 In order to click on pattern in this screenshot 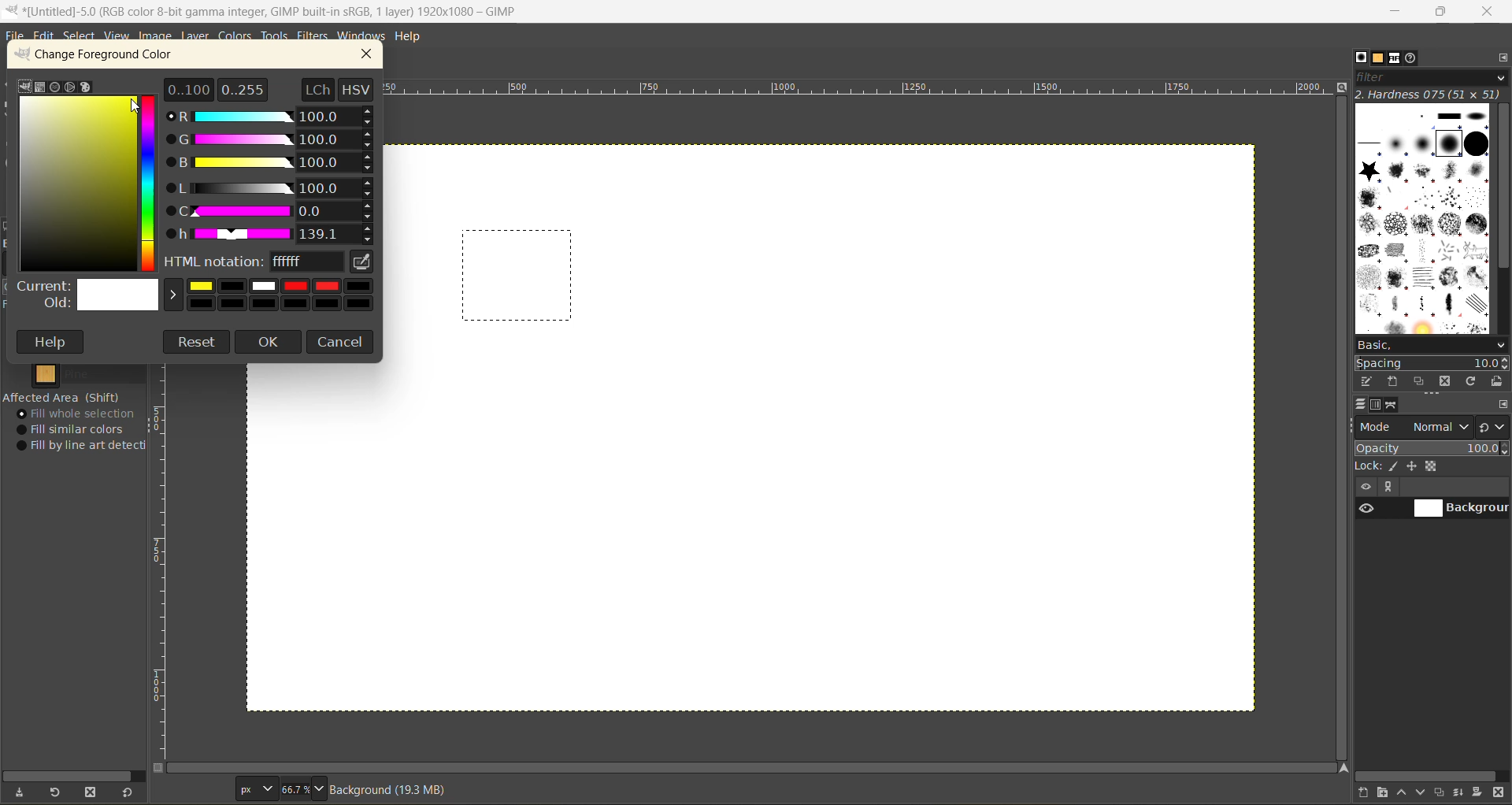, I will do `click(84, 374)`.